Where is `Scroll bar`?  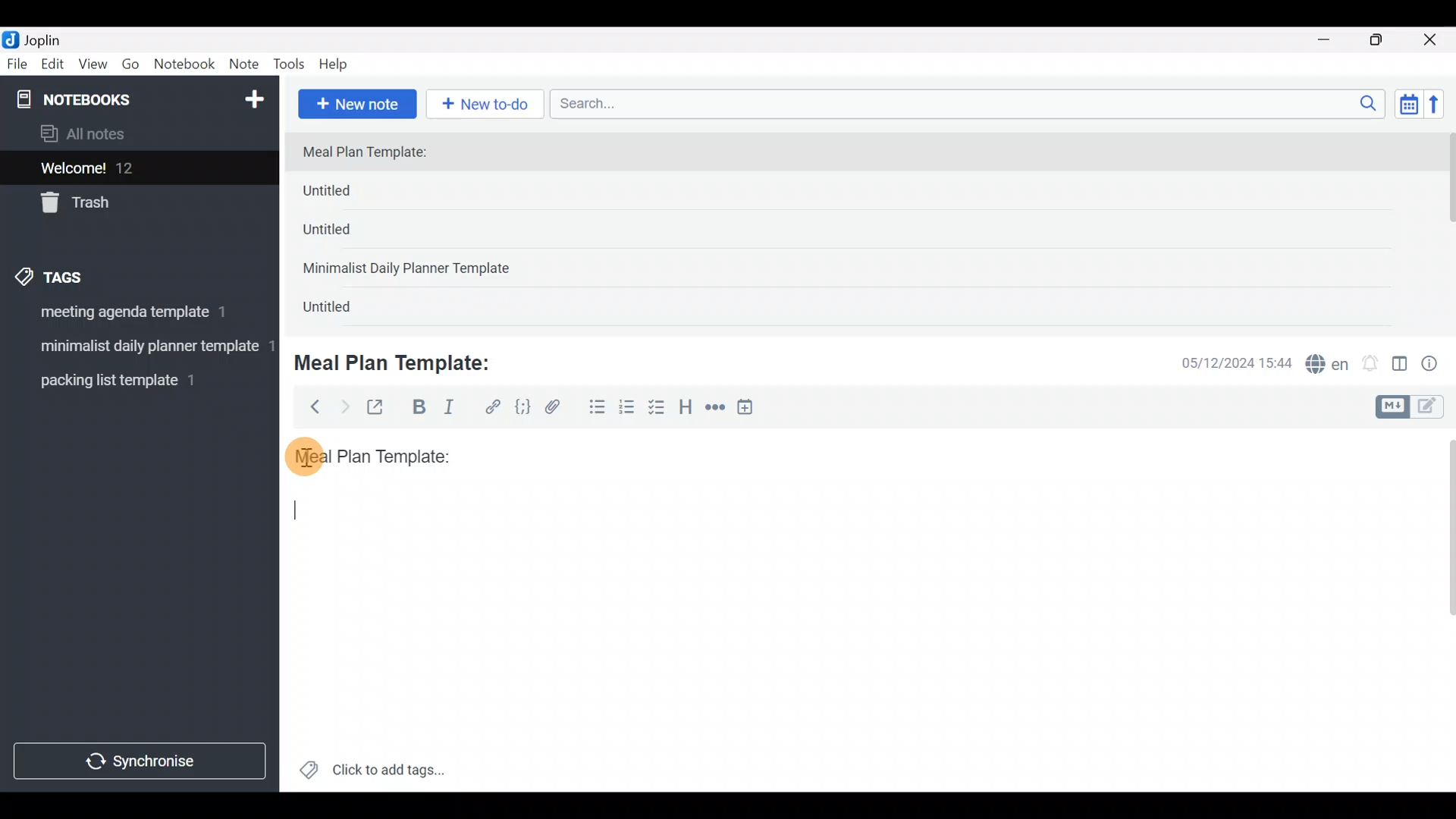 Scroll bar is located at coordinates (1447, 229).